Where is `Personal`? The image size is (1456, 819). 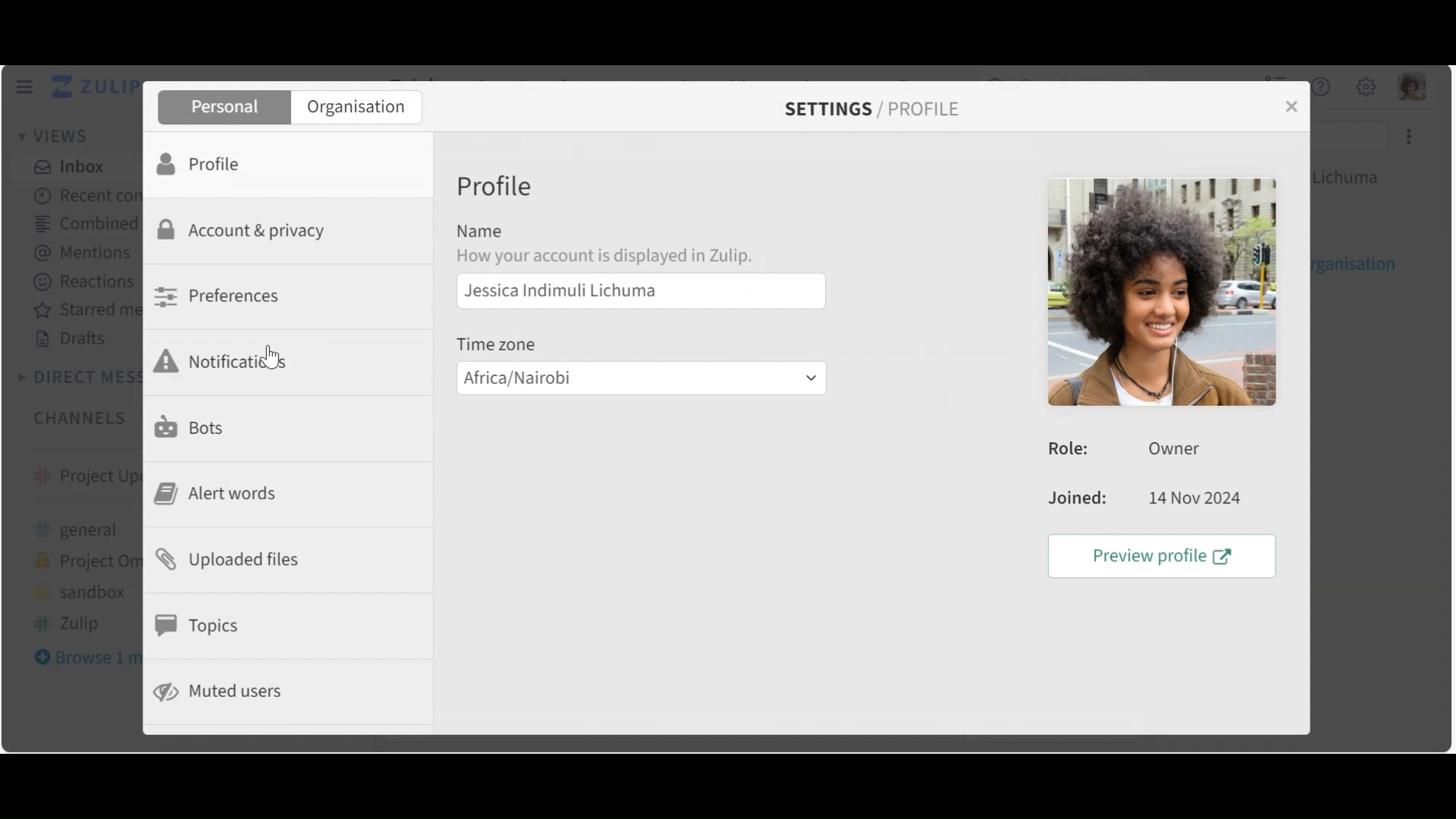 Personal is located at coordinates (222, 108).